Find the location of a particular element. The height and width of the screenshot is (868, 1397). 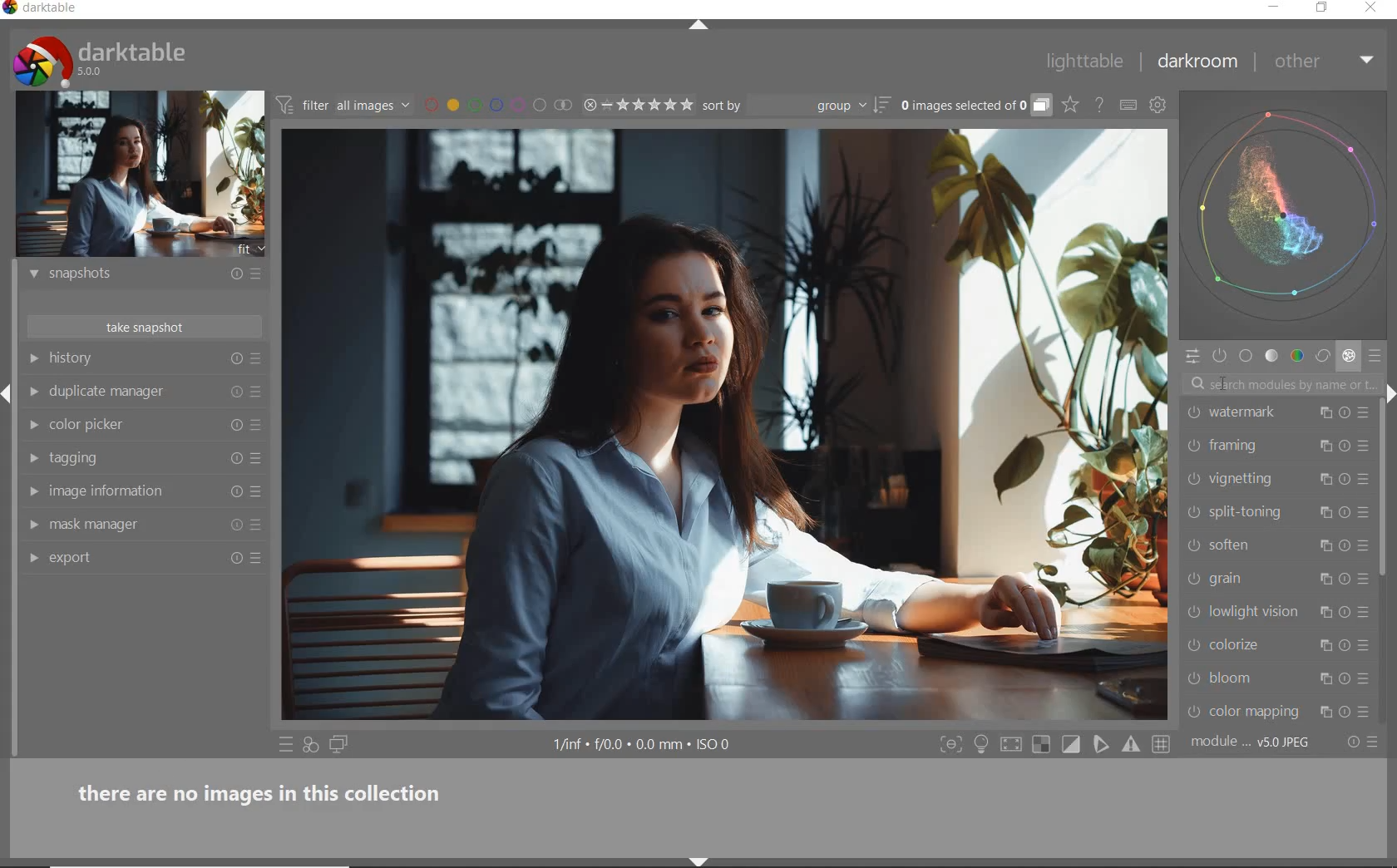

reset is located at coordinates (1345, 678).